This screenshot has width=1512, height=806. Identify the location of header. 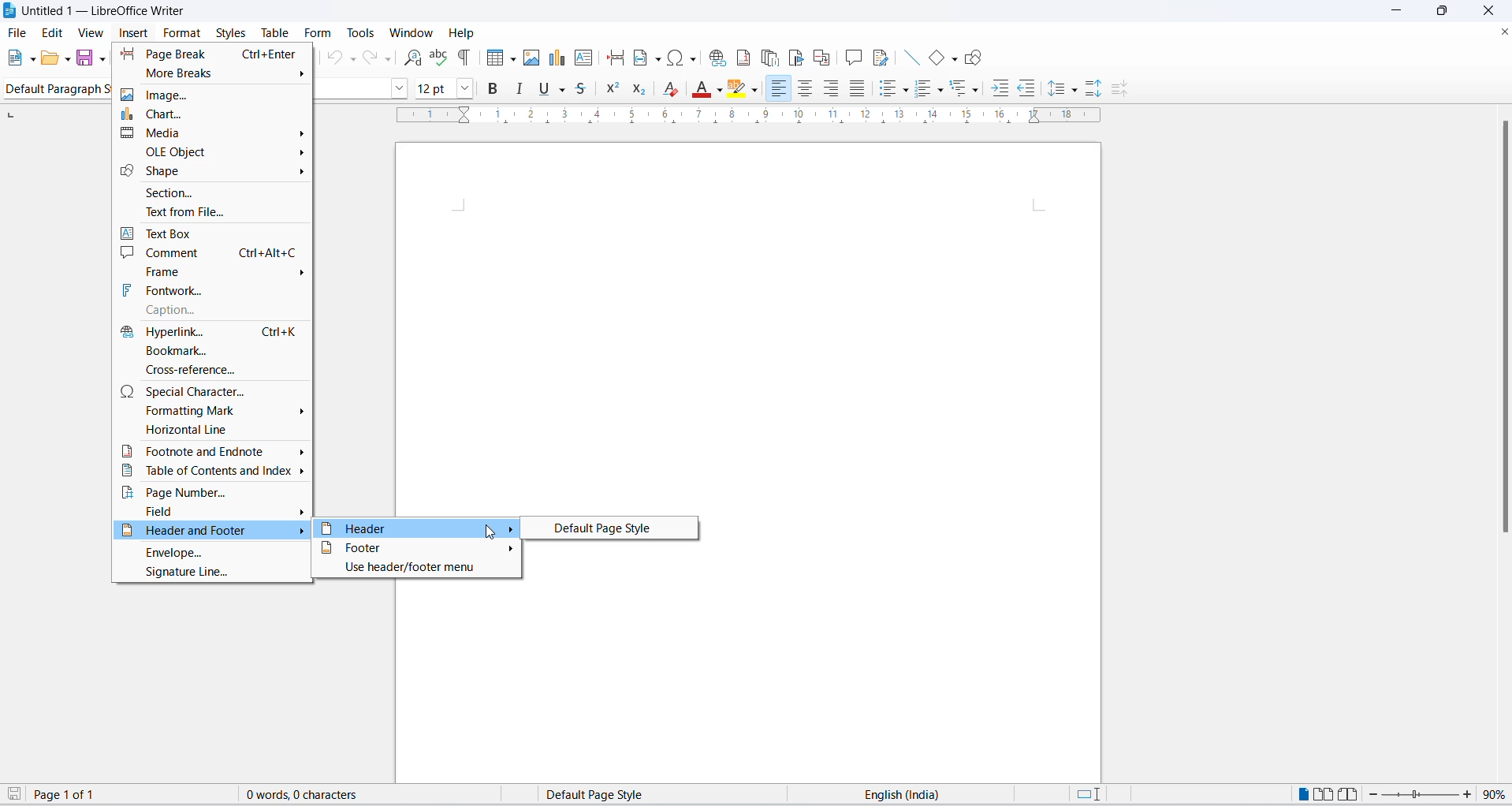
(417, 529).